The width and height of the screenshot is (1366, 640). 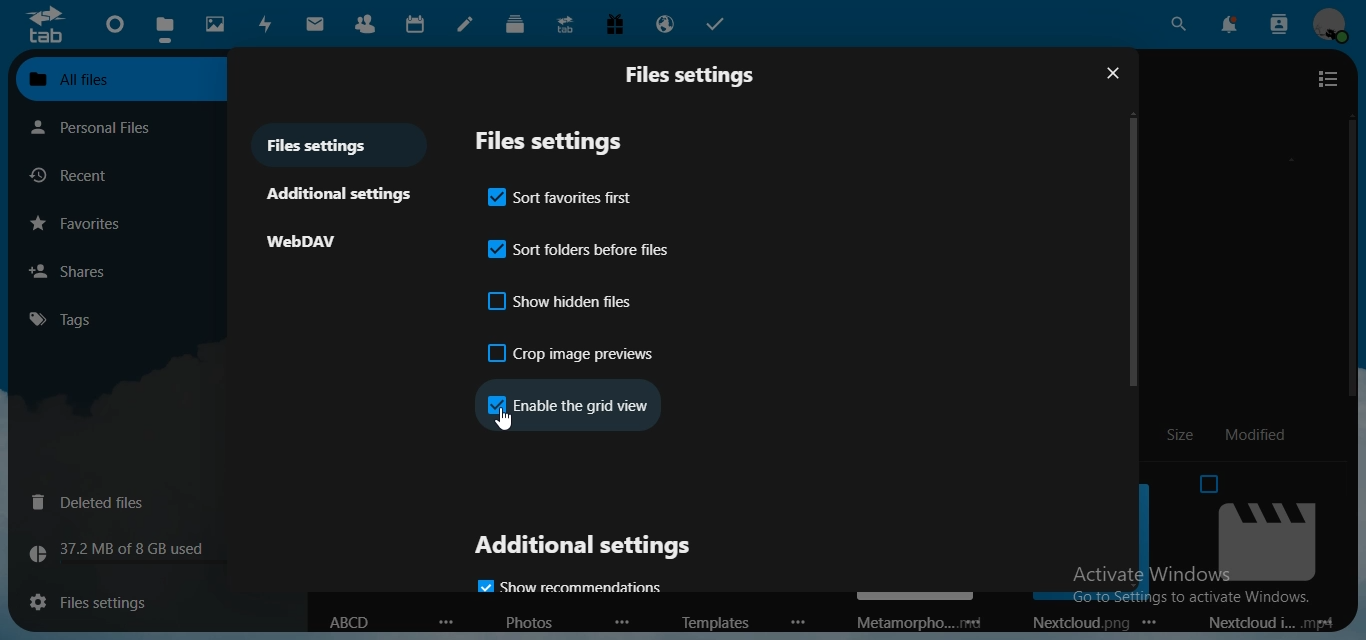 I want to click on crop image previews, so click(x=573, y=353).